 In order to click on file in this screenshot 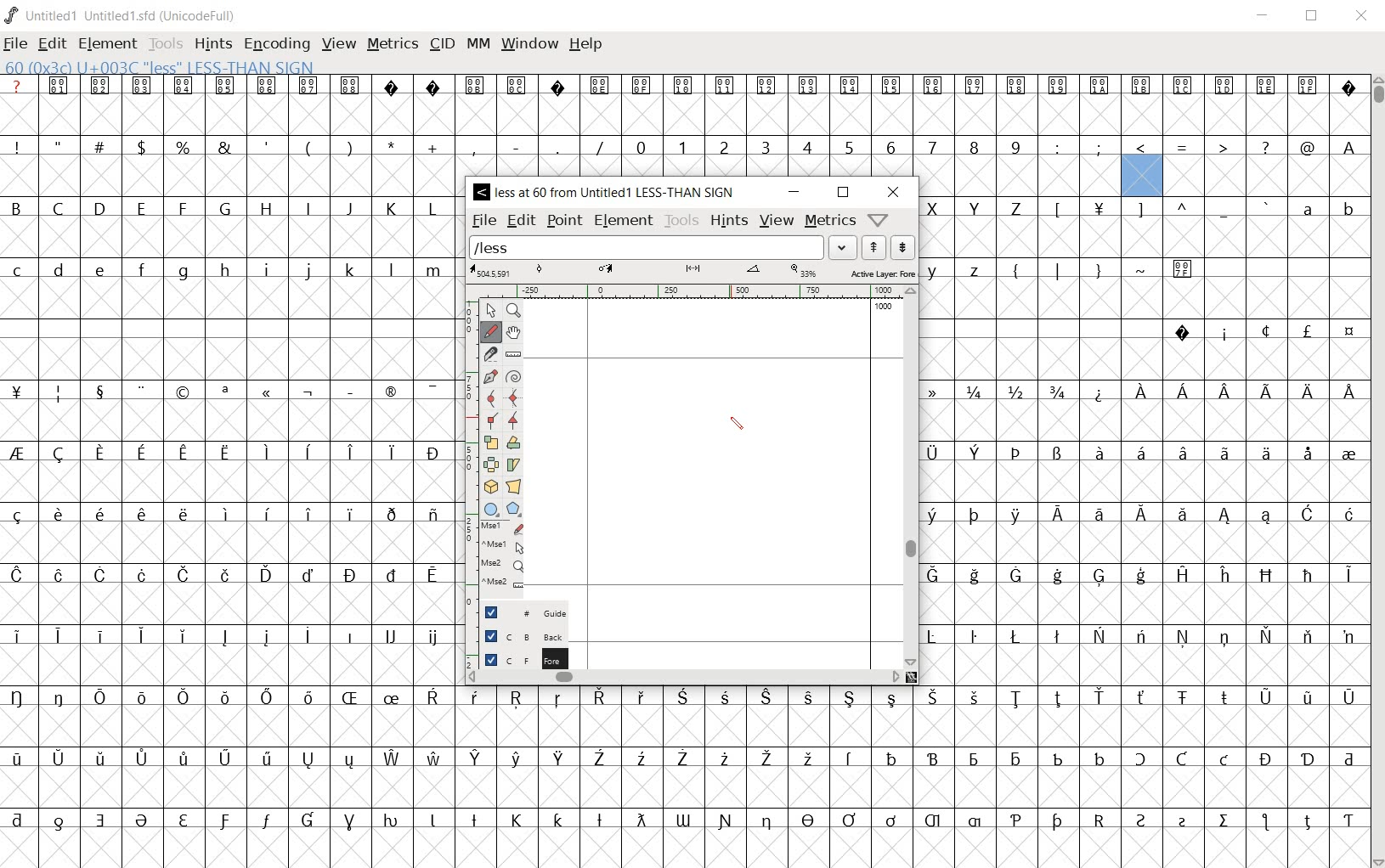, I will do `click(484, 220)`.